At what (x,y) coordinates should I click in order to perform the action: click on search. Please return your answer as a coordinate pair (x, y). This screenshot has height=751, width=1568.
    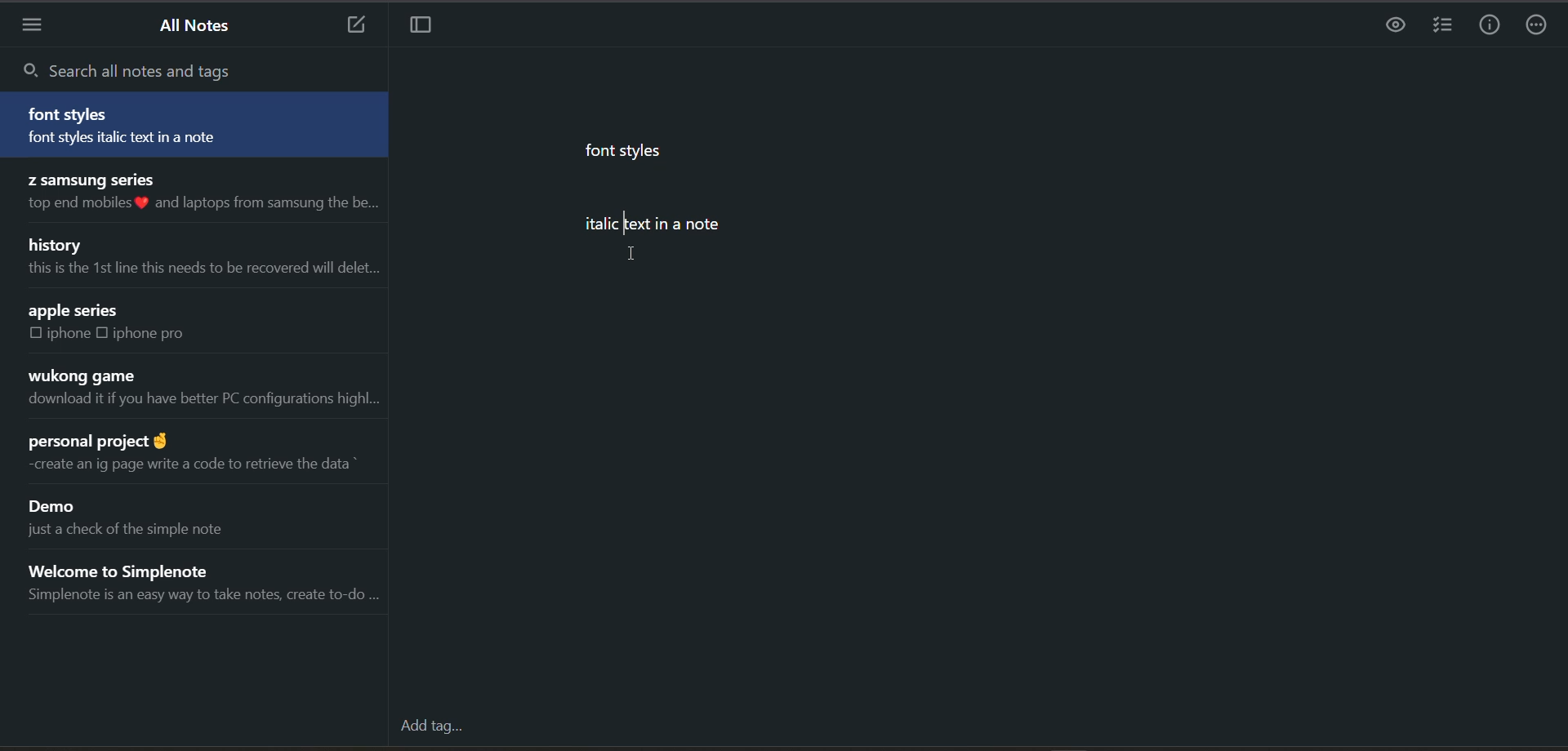
    Looking at the image, I should click on (152, 68).